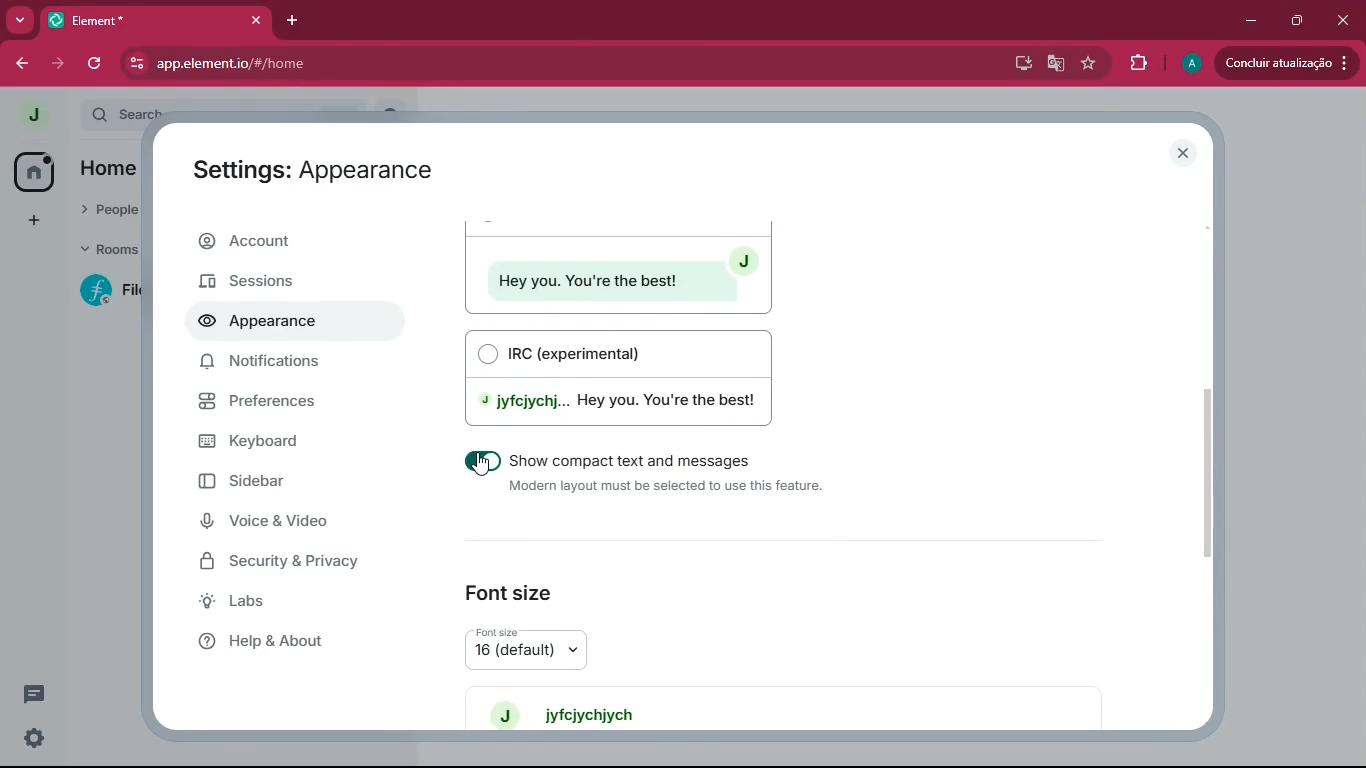 This screenshot has width=1366, height=768. What do you see at coordinates (93, 64) in the screenshot?
I see `refresh` at bounding box center [93, 64].